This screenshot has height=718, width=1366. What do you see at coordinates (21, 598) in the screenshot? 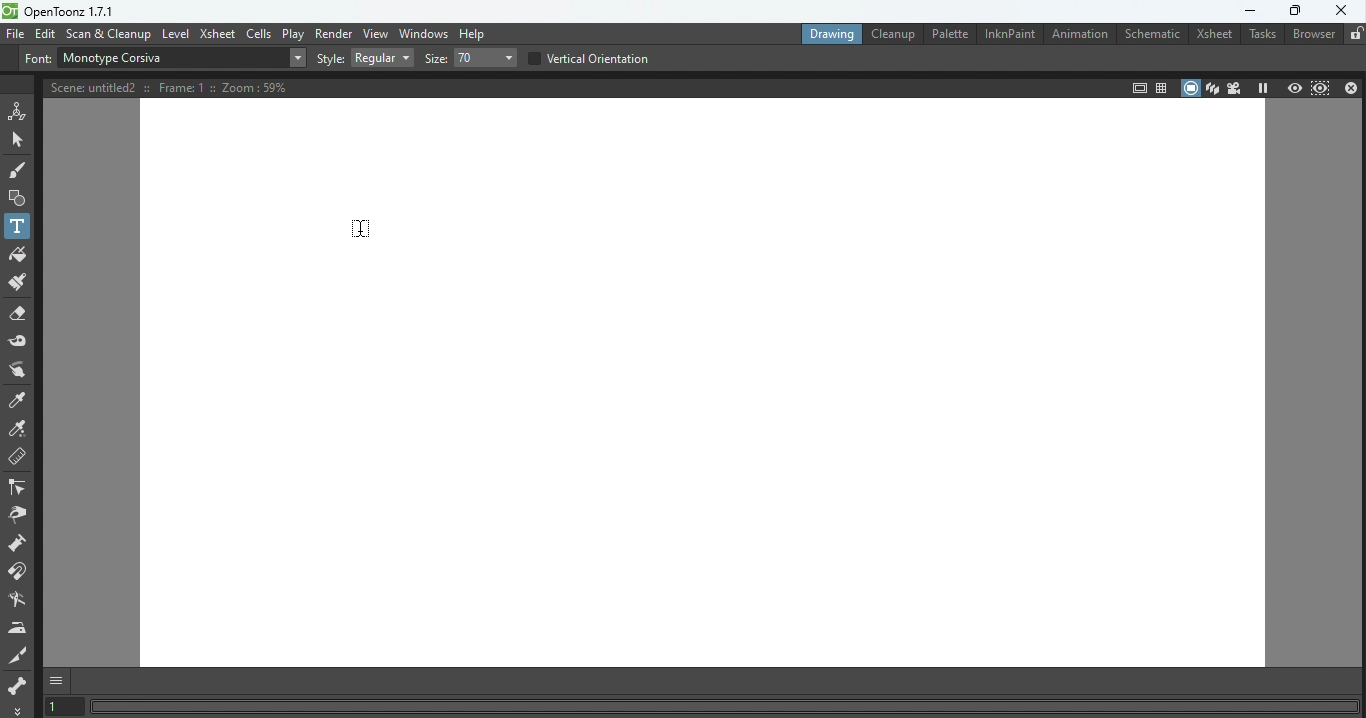
I see `Blender tool` at bounding box center [21, 598].